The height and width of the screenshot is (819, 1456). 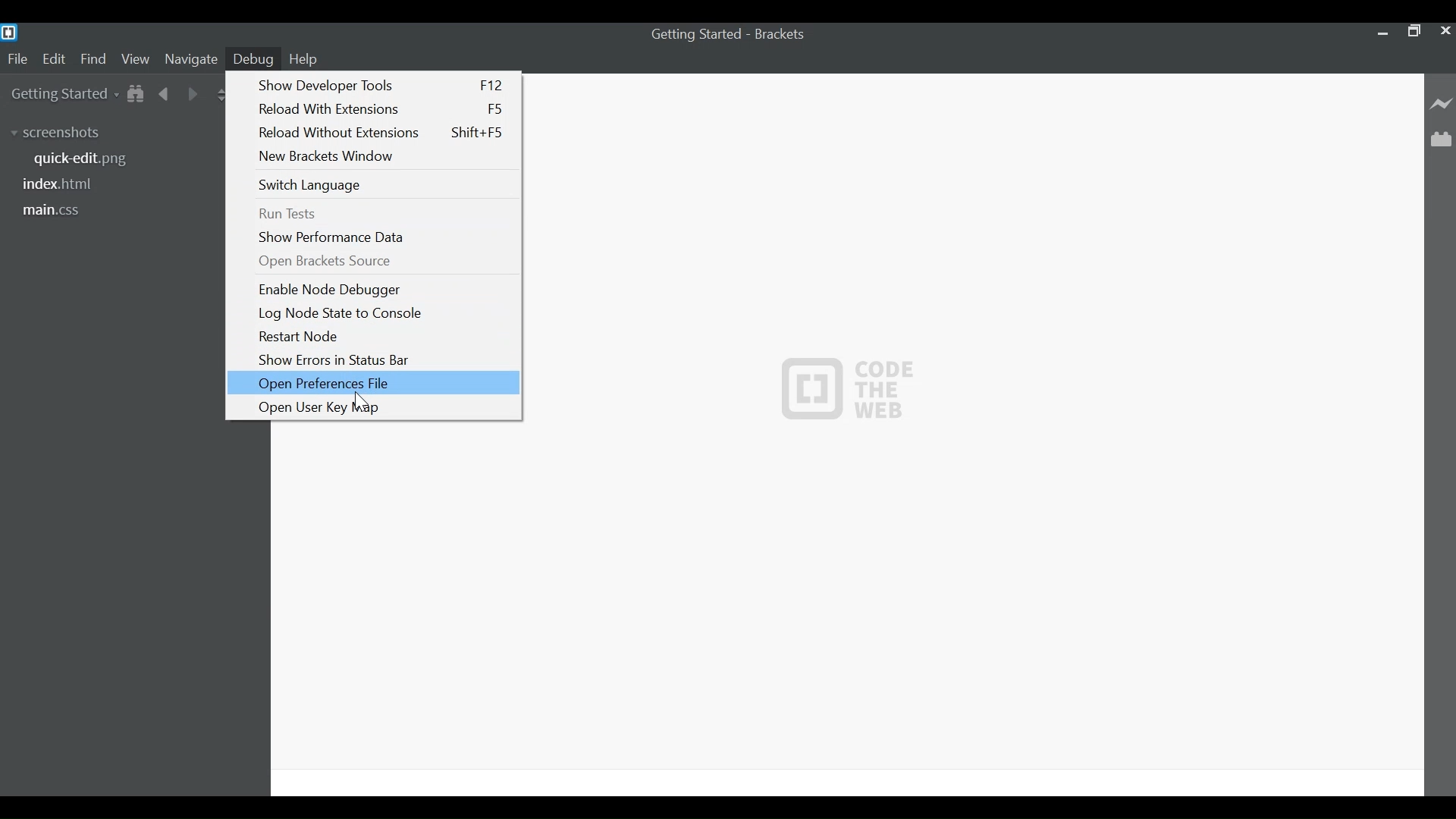 I want to click on Navigate Forward, so click(x=193, y=92).